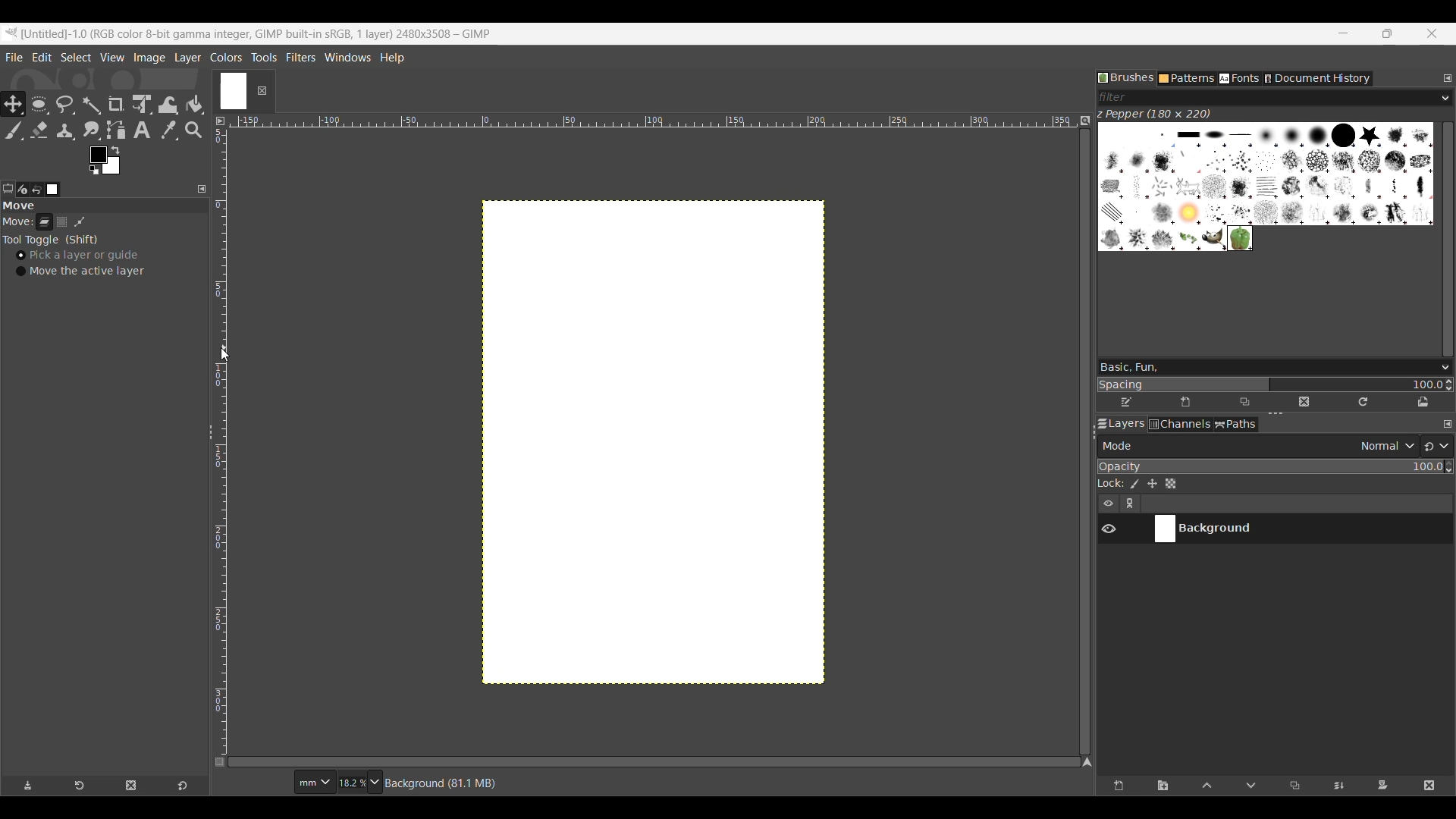 This screenshot has width=1456, height=819. Describe the element at coordinates (64, 104) in the screenshot. I see `Free select tool` at that location.